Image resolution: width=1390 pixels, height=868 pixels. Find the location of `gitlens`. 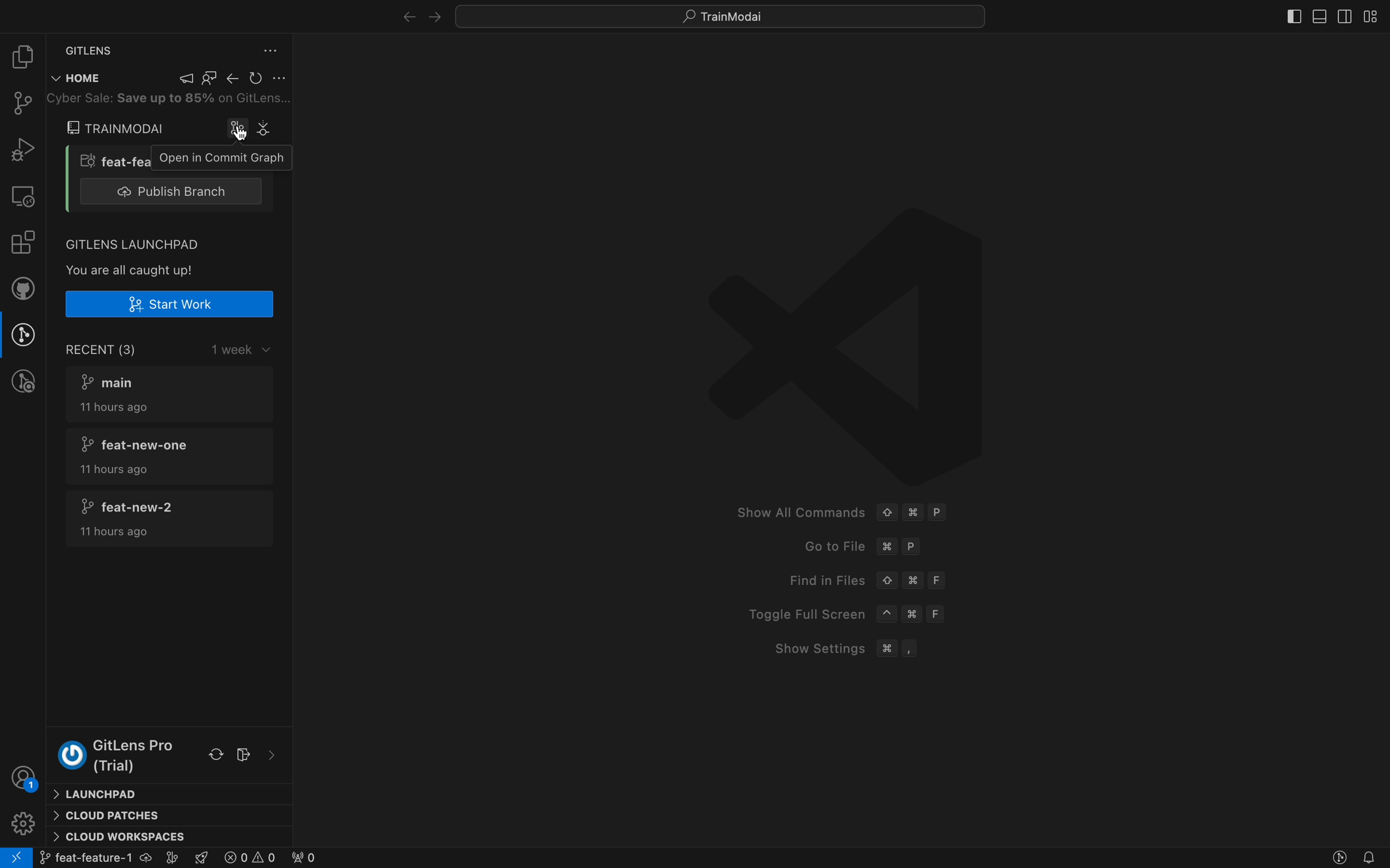

gitlens is located at coordinates (26, 335).